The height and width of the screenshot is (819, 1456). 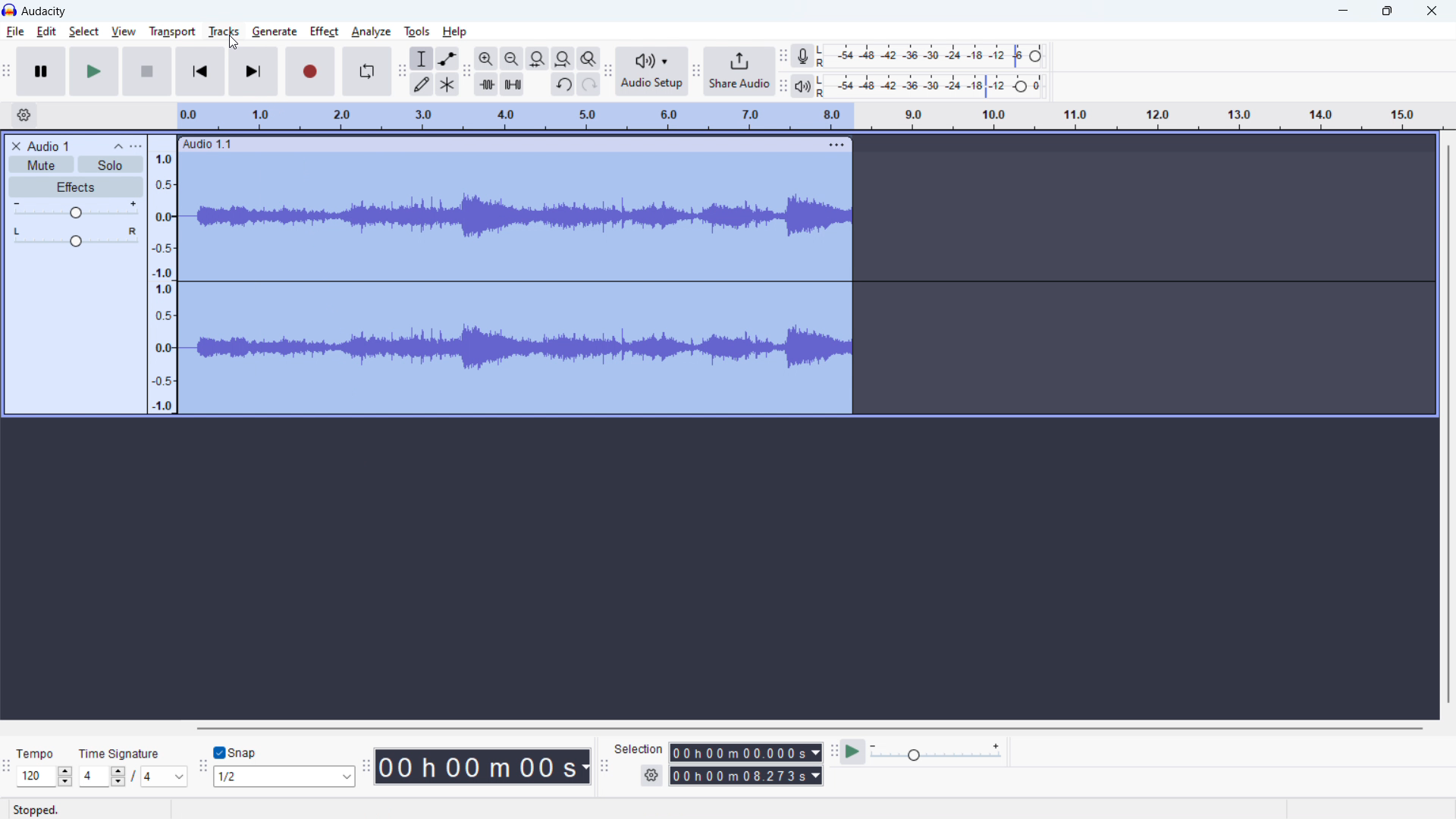 What do you see at coordinates (310, 71) in the screenshot?
I see `record` at bounding box center [310, 71].